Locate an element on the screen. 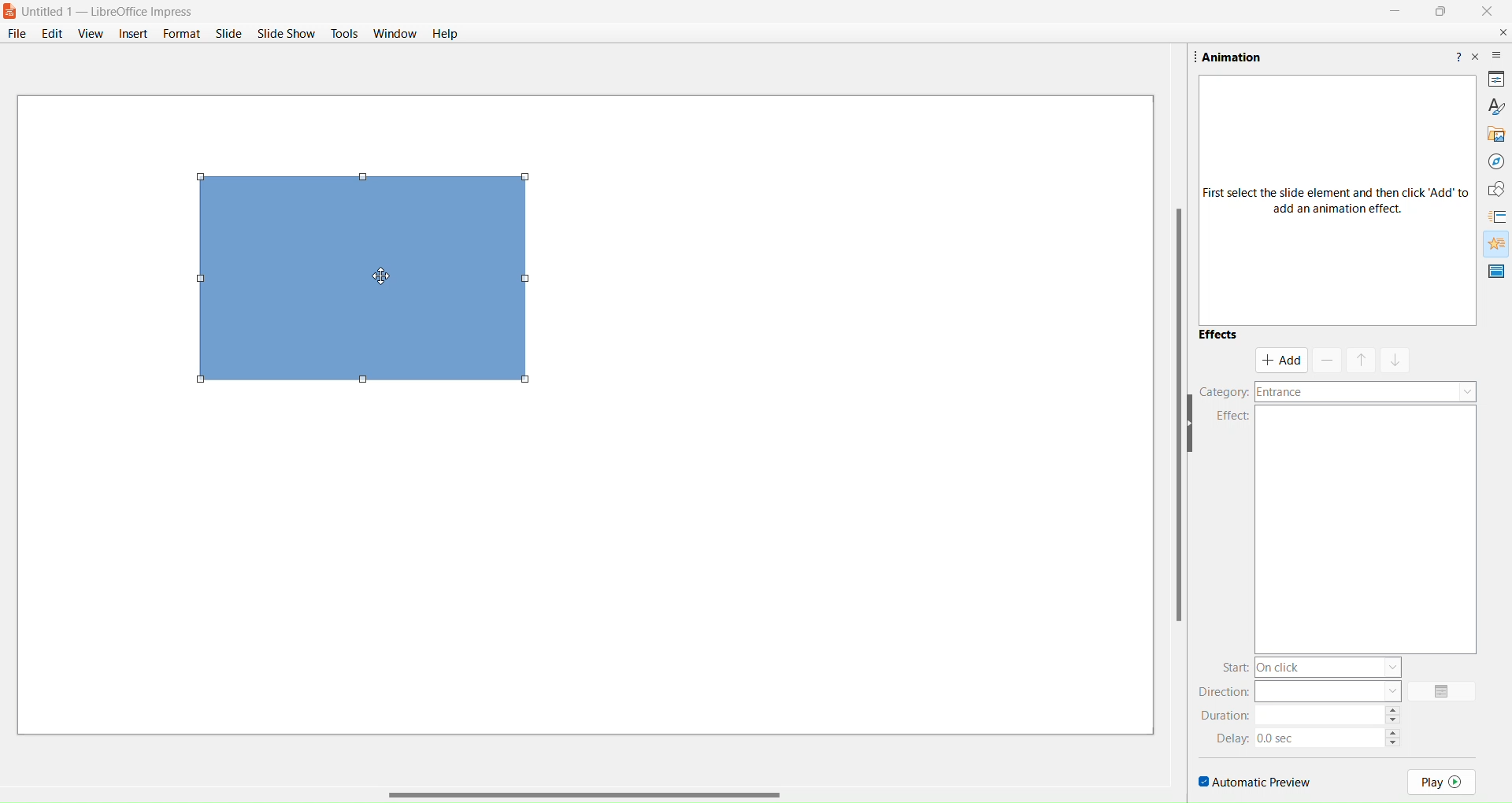 This screenshot has height=803, width=1512. category is located at coordinates (1224, 390).